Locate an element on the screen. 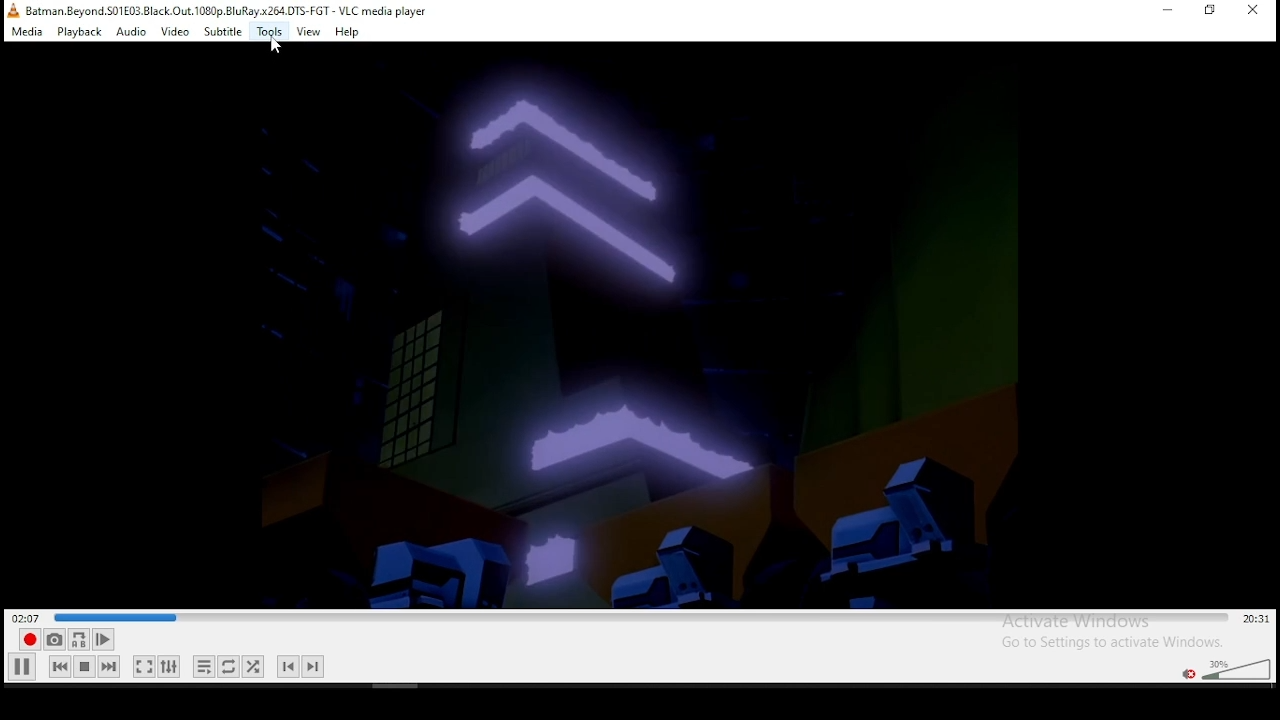  toggle between loop all, loop one, and no loop is located at coordinates (228, 666).